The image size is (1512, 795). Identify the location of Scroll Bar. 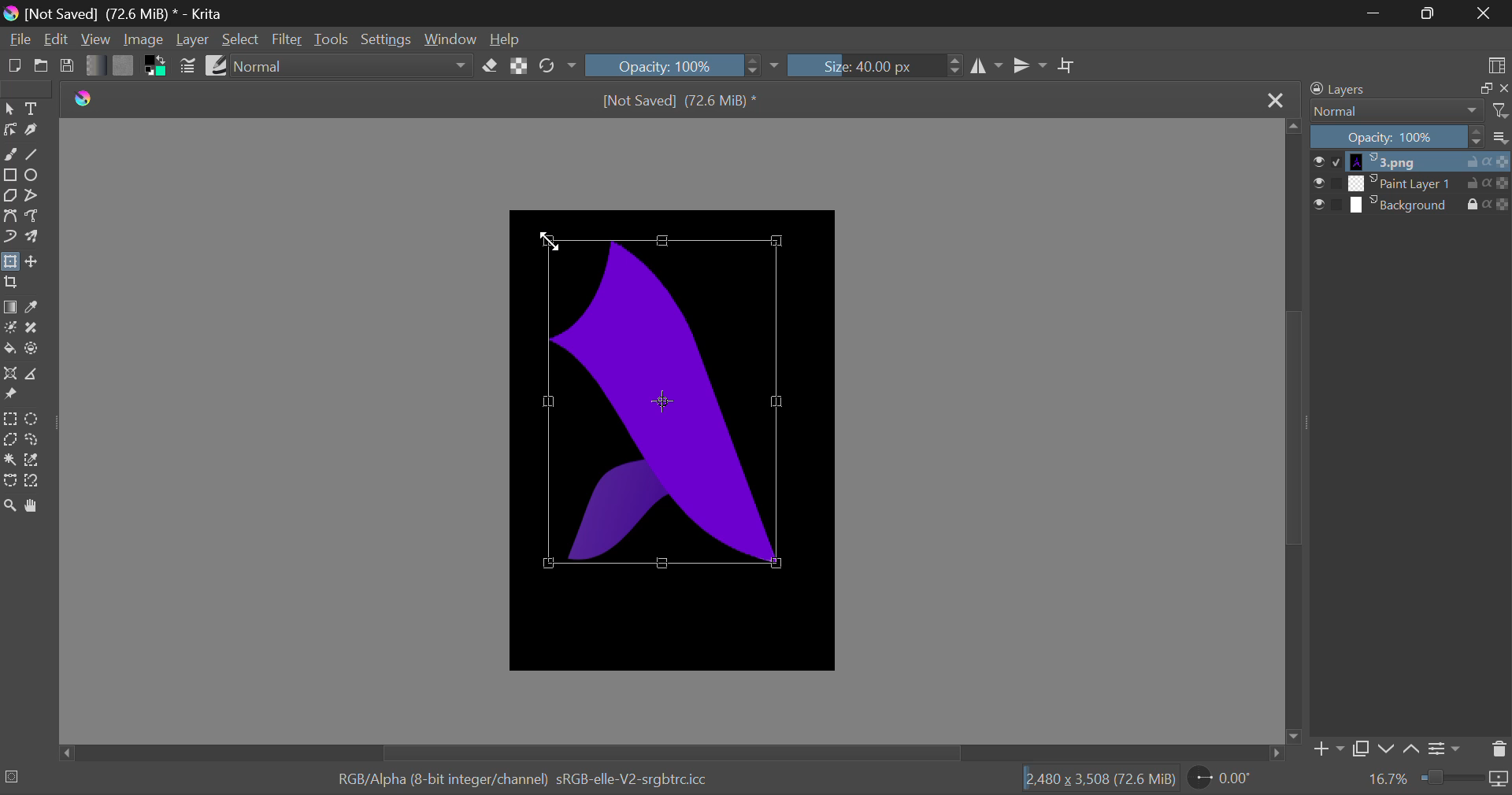
(1293, 431).